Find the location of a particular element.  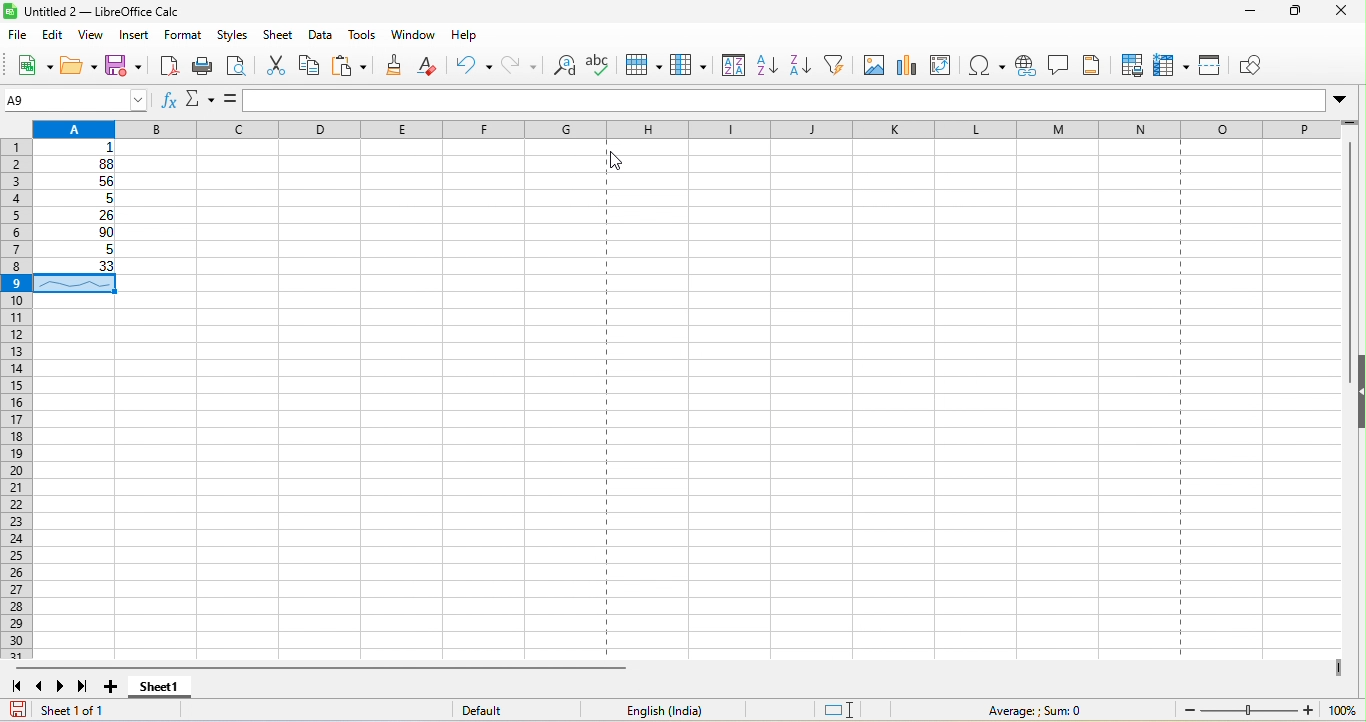

untitled 2-libre office calc is located at coordinates (163, 12).